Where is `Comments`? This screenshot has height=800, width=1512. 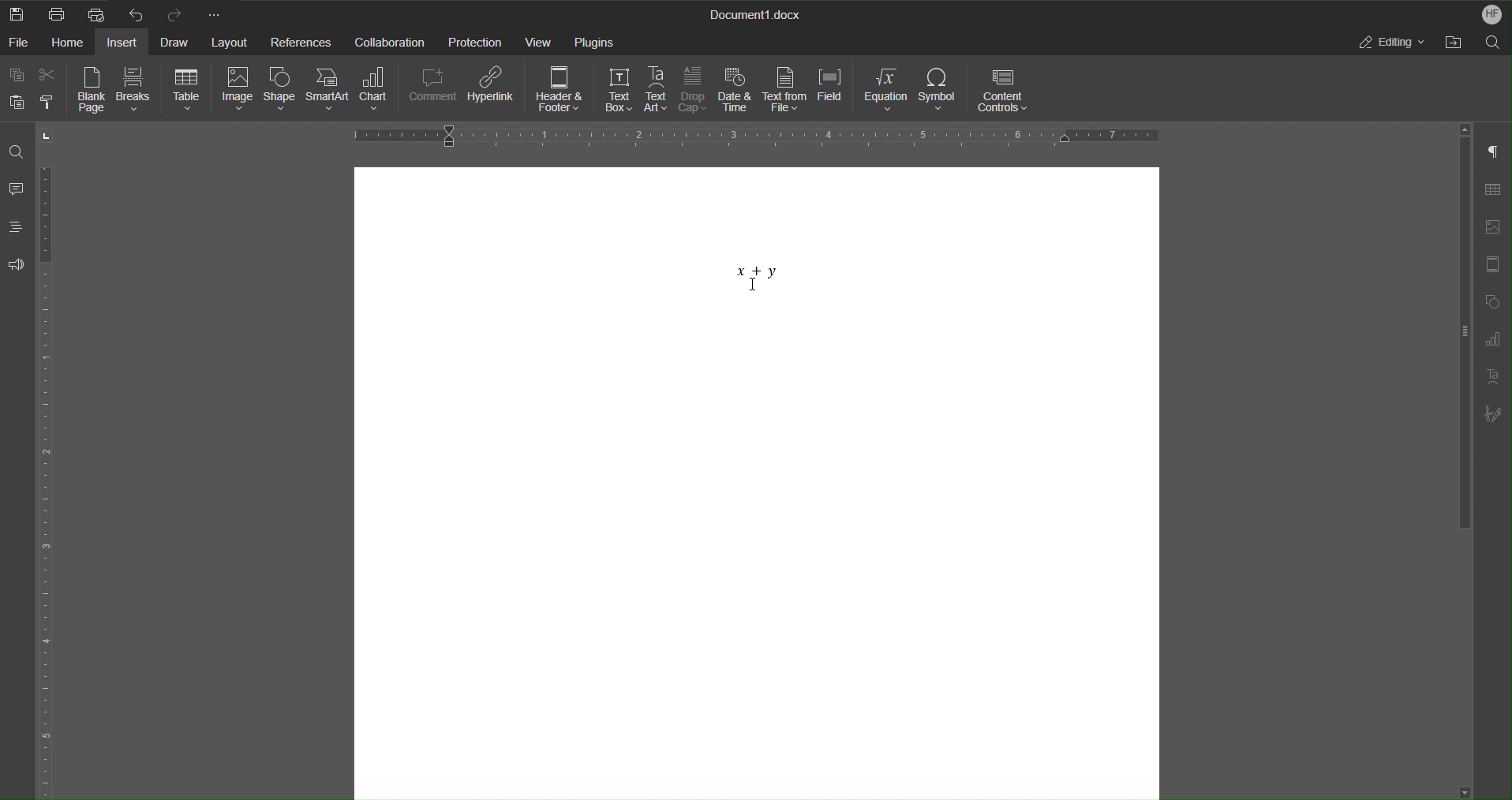 Comments is located at coordinates (14, 194).